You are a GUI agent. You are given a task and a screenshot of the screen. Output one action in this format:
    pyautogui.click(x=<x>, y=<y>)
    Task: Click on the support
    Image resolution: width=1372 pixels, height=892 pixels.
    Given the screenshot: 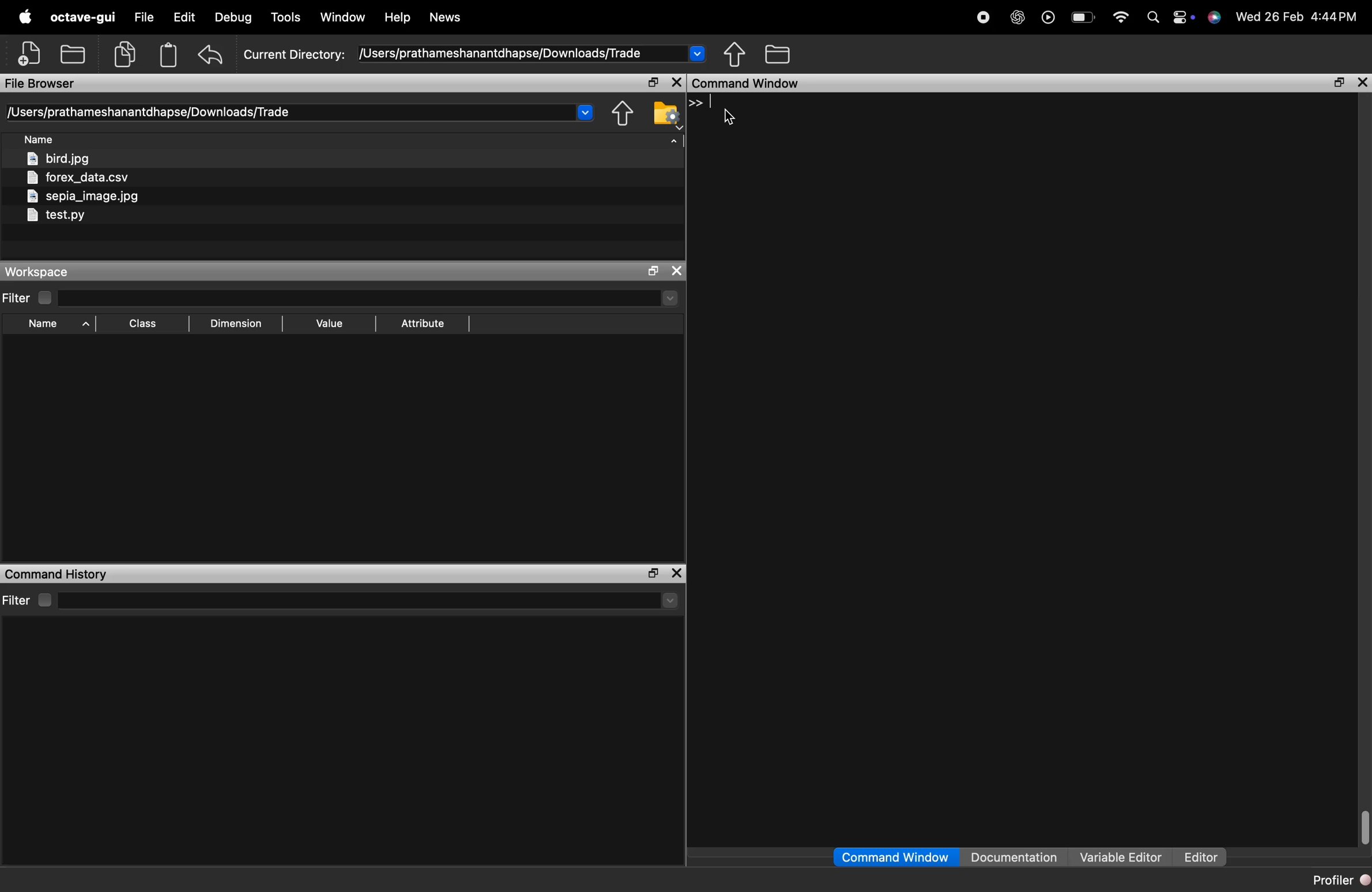 What is the action you would take?
    pyautogui.click(x=1215, y=18)
    